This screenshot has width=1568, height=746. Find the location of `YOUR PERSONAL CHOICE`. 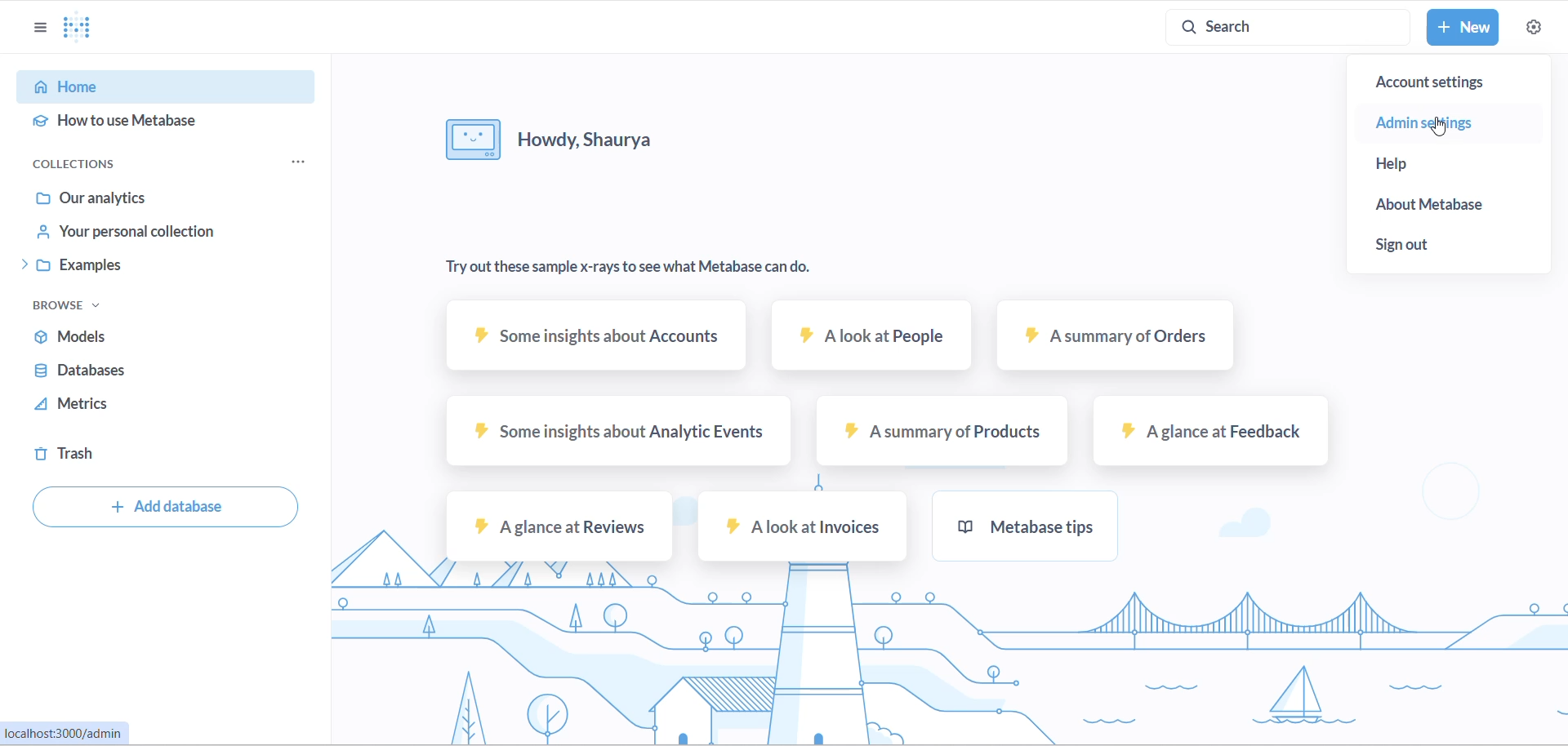

YOUR PERSONAL CHOICE is located at coordinates (129, 234).